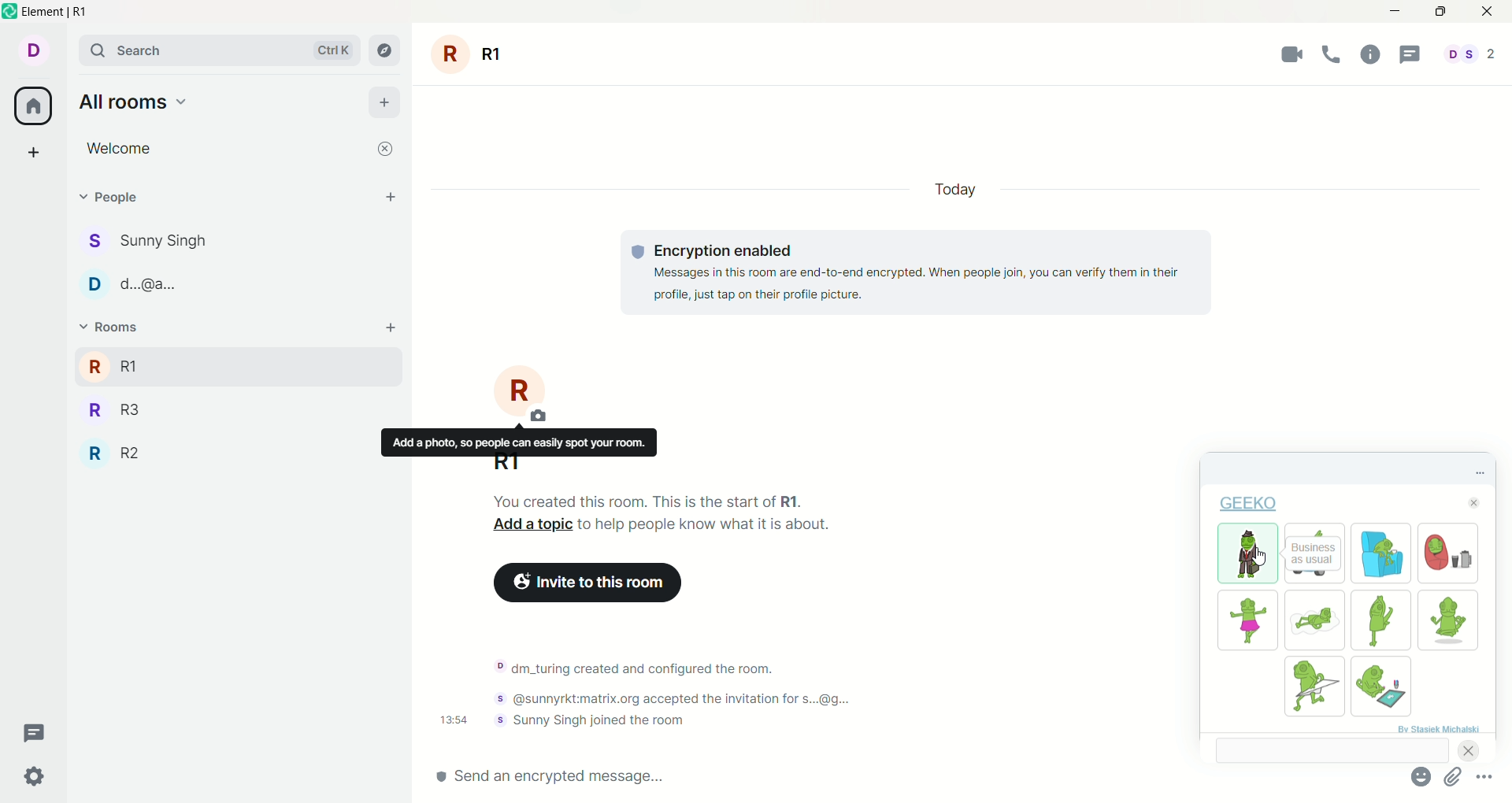  What do you see at coordinates (587, 583) in the screenshot?
I see `Click to invite more people to this room` at bounding box center [587, 583].